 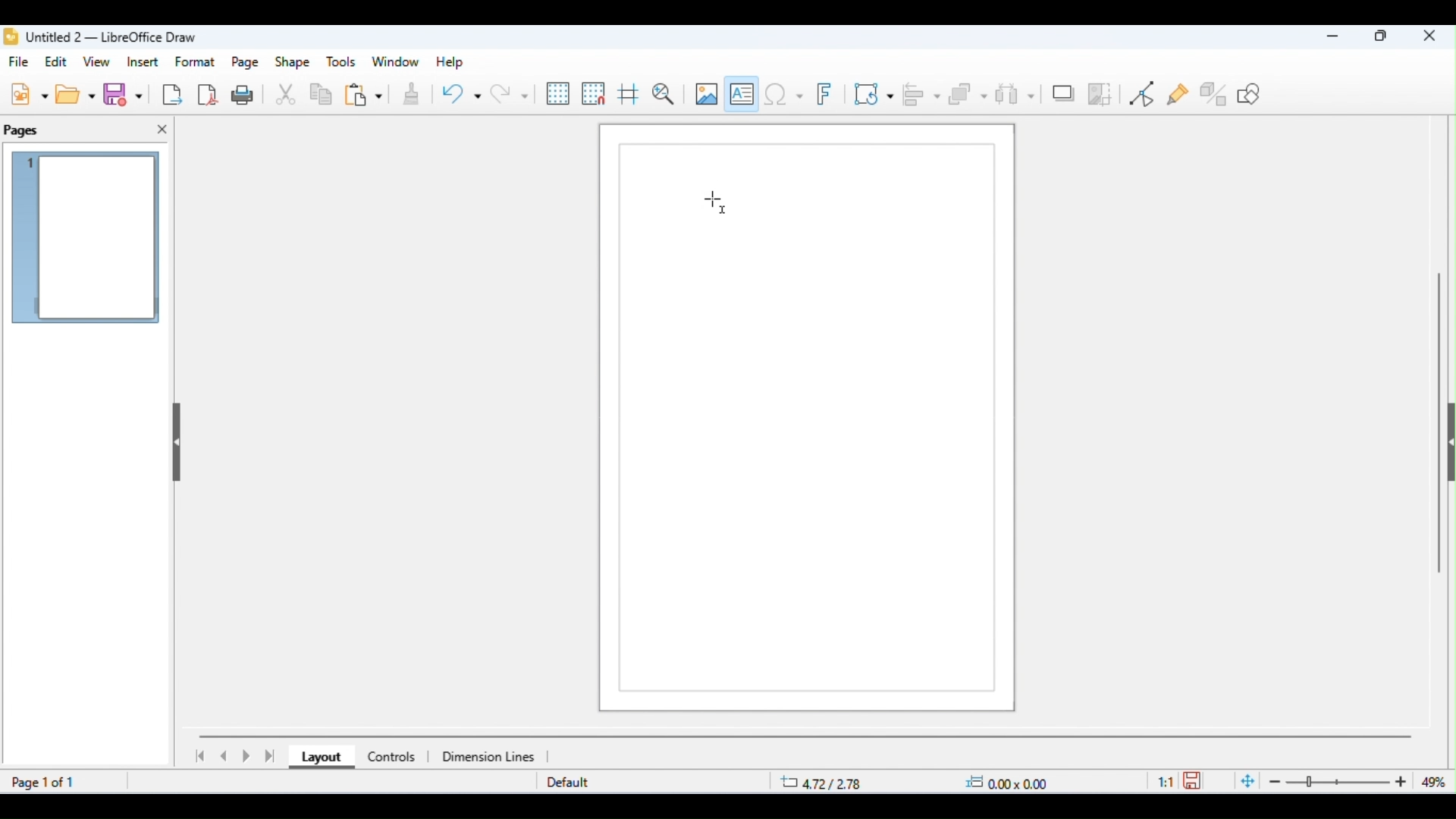 I want to click on cut, so click(x=287, y=96).